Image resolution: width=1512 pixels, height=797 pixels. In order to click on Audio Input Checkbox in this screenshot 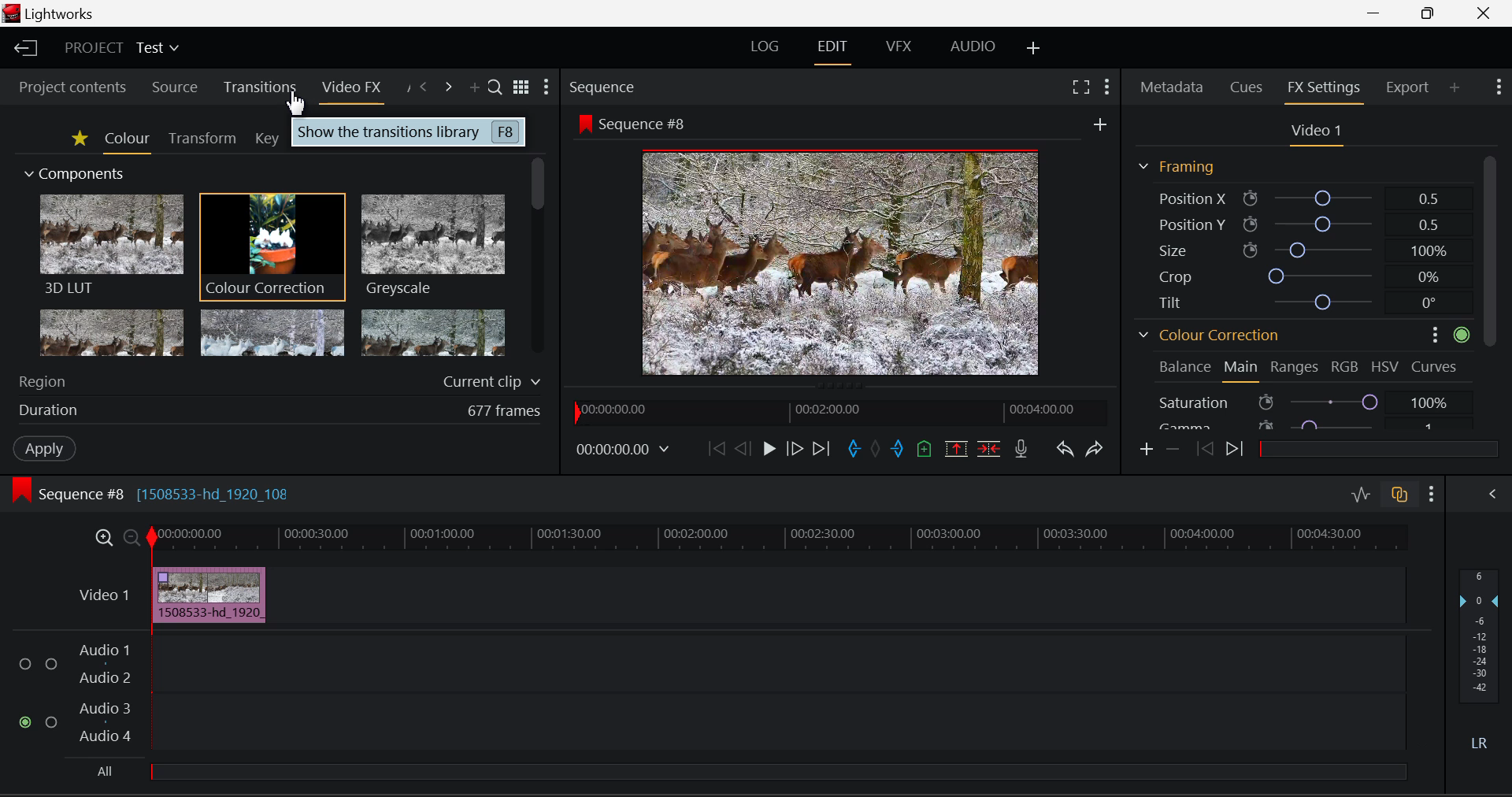, I will do `click(24, 721)`.